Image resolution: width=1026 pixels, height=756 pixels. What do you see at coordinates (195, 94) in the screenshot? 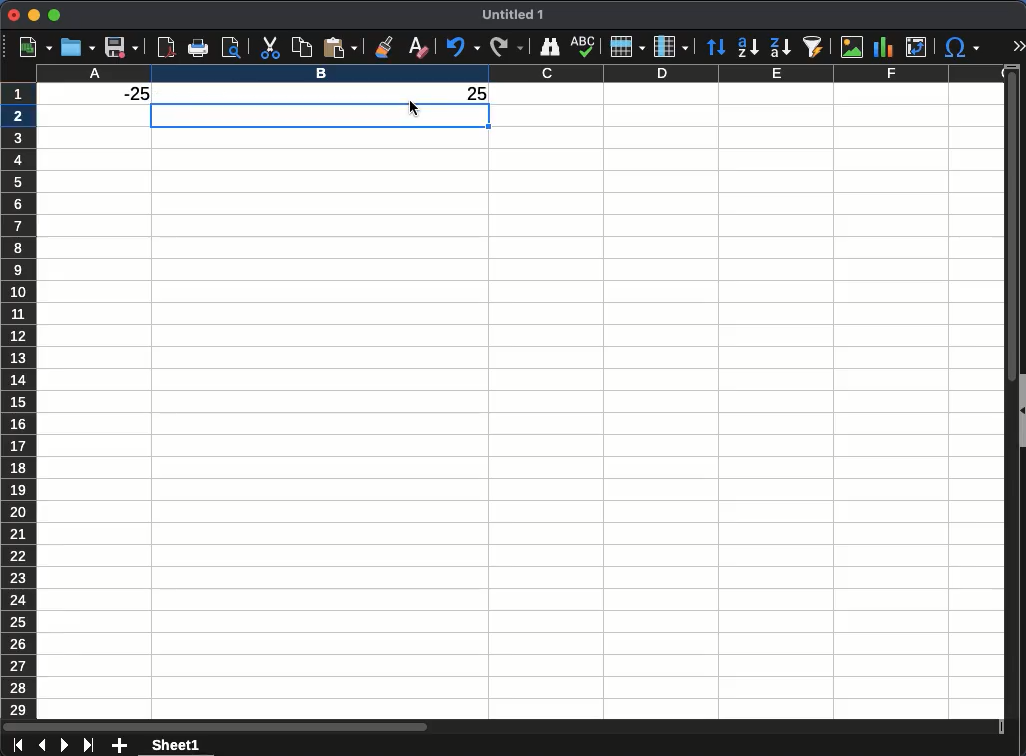
I see `=ABS(A1)` at bounding box center [195, 94].